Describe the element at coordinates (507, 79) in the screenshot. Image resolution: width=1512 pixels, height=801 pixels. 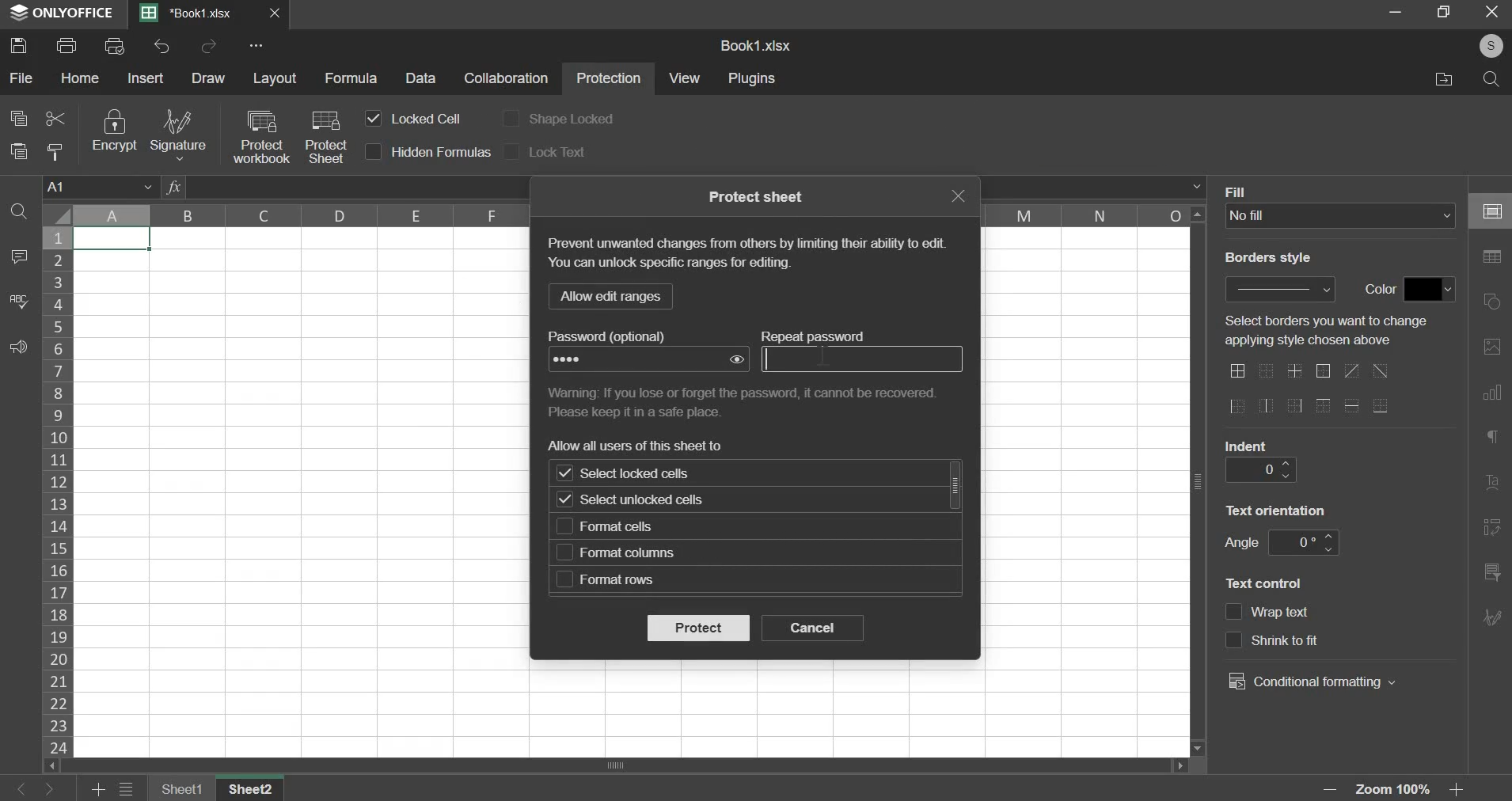
I see `collaboration` at that location.